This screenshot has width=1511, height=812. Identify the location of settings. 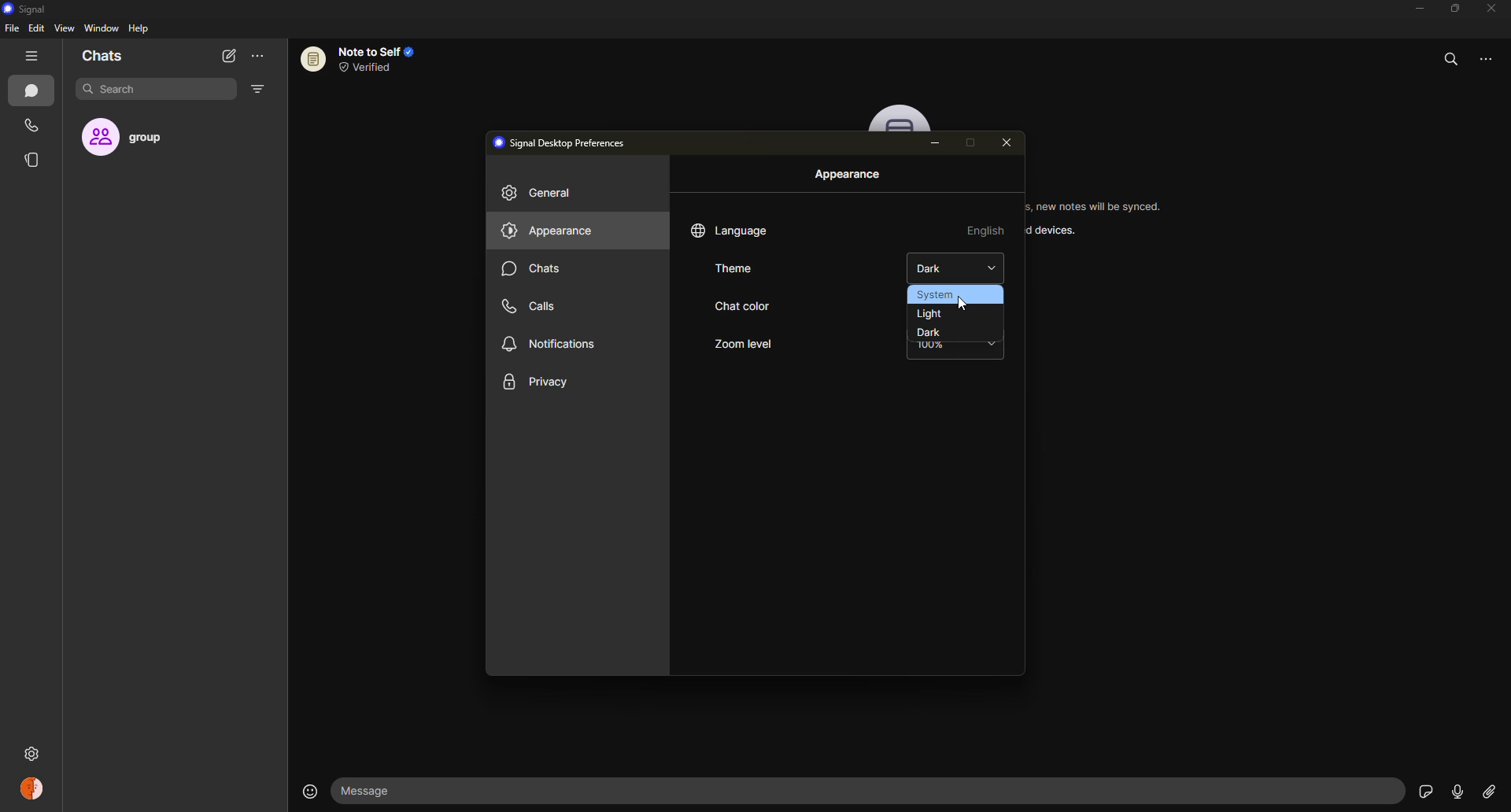
(104, 754).